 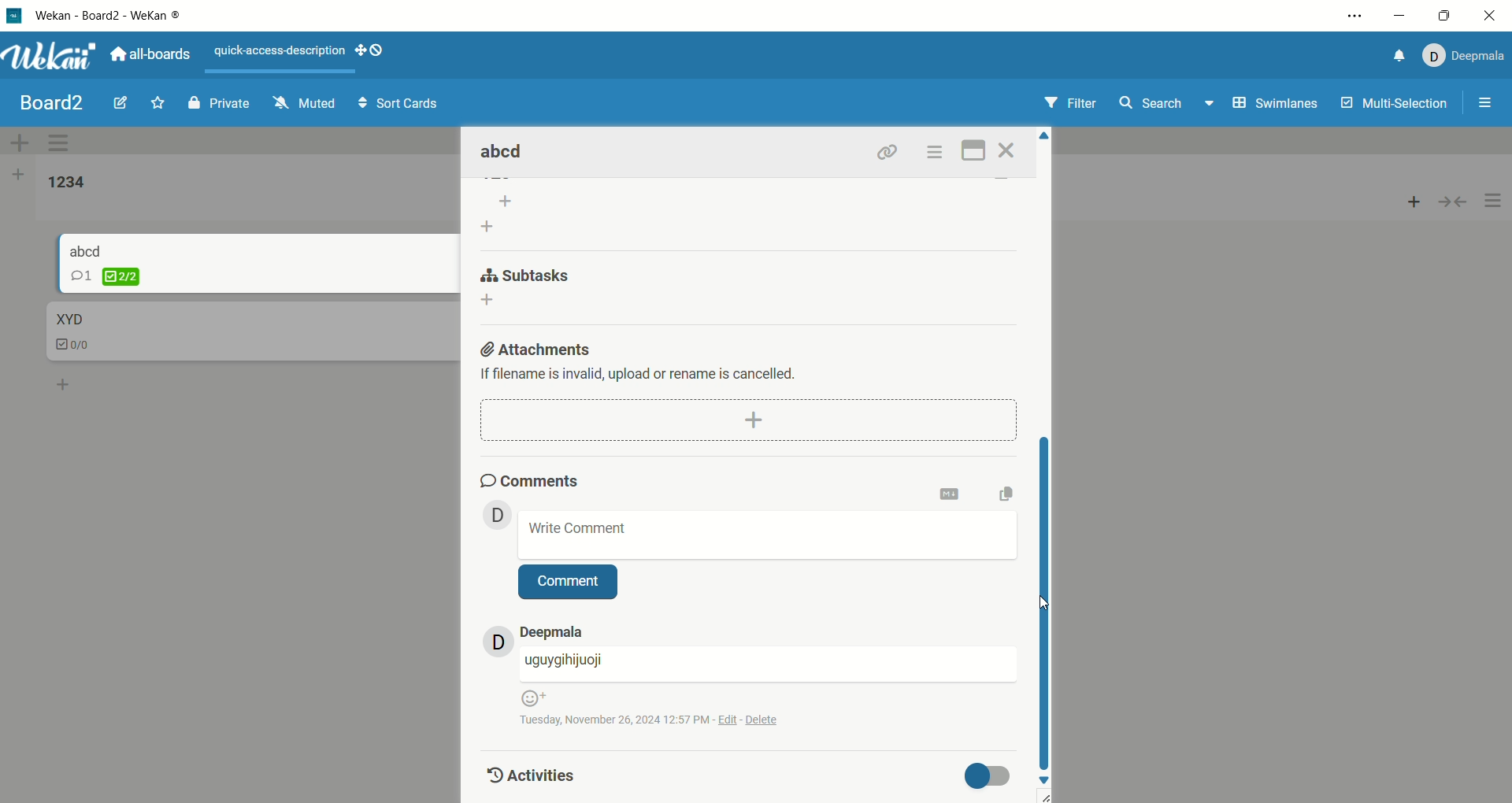 What do you see at coordinates (888, 151) in the screenshot?
I see `link` at bounding box center [888, 151].